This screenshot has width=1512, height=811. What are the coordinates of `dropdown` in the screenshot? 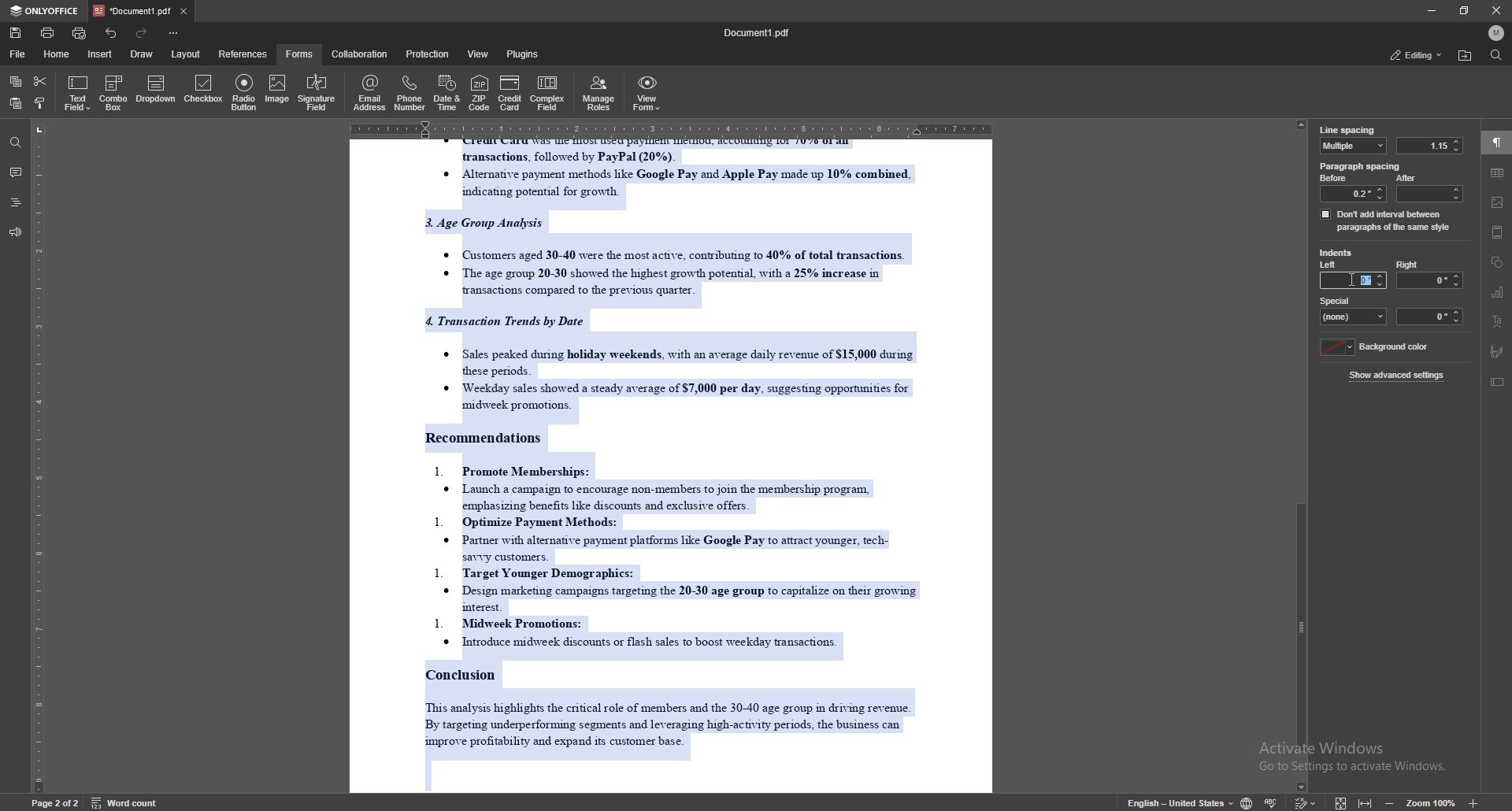 It's located at (156, 91).